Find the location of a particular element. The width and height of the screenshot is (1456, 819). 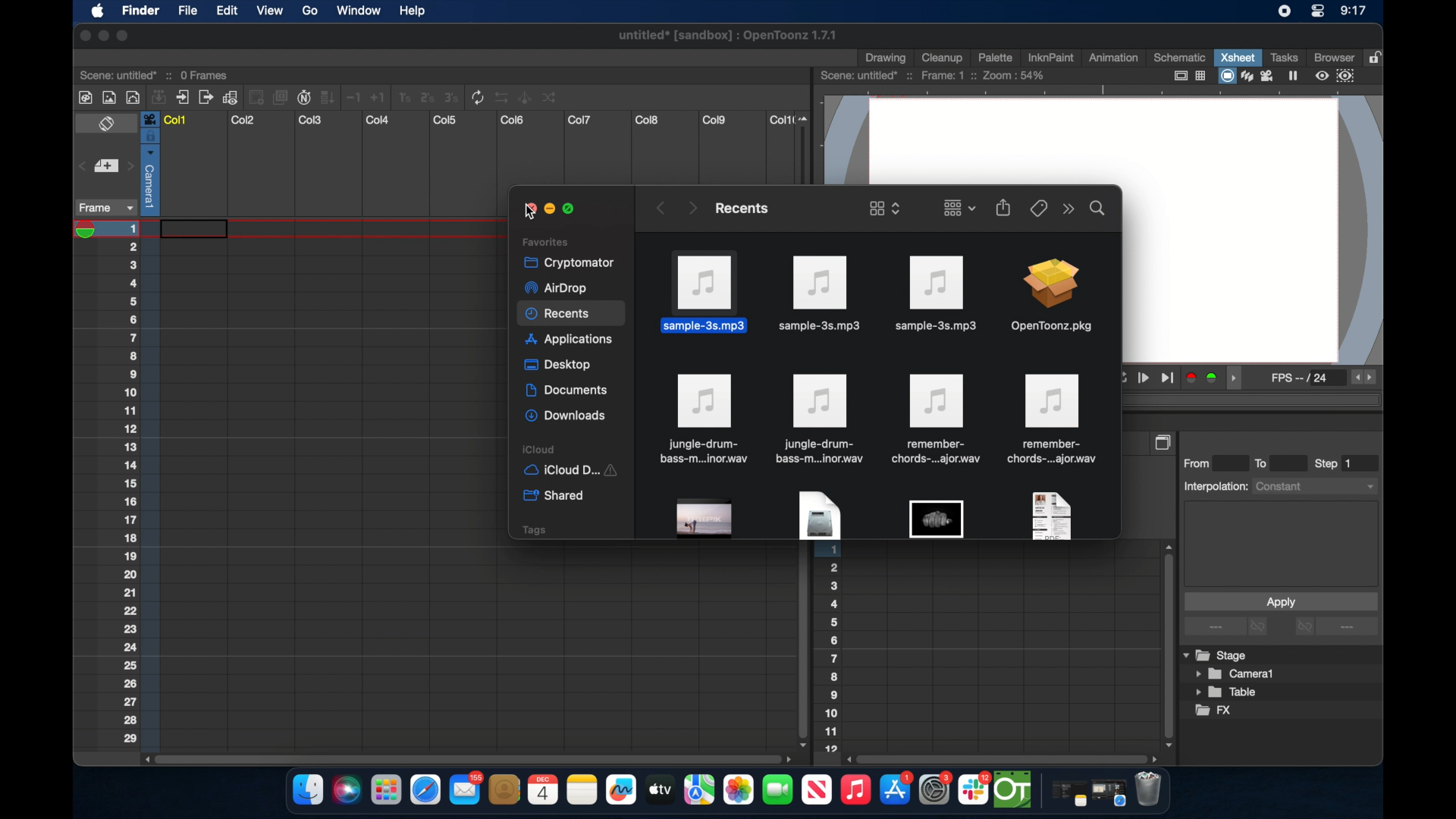

iCloud drive is located at coordinates (570, 472).